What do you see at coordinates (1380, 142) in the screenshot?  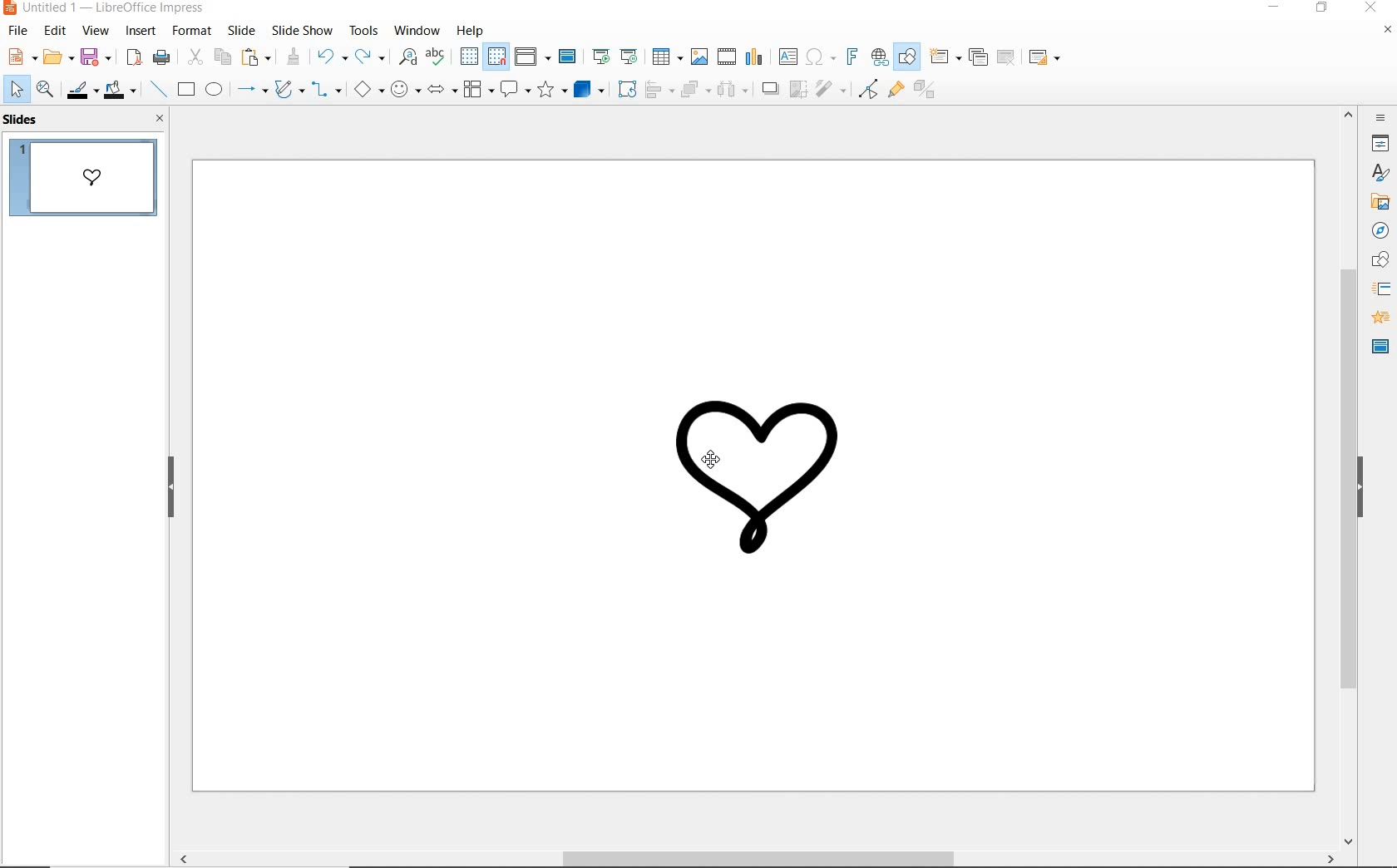 I see `PROPERTIES` at bounding box center [1380, 142].